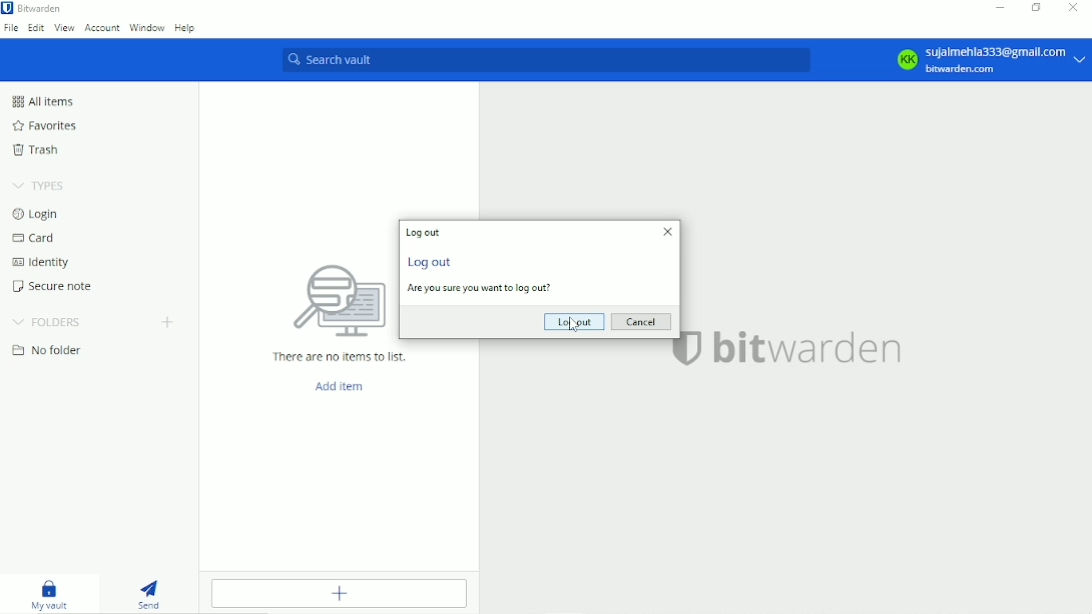 This screenshot has width=1092, height=614. Describe the element at coordinates (1002, 8) in the screenshot. I see `Minimize` at that location.